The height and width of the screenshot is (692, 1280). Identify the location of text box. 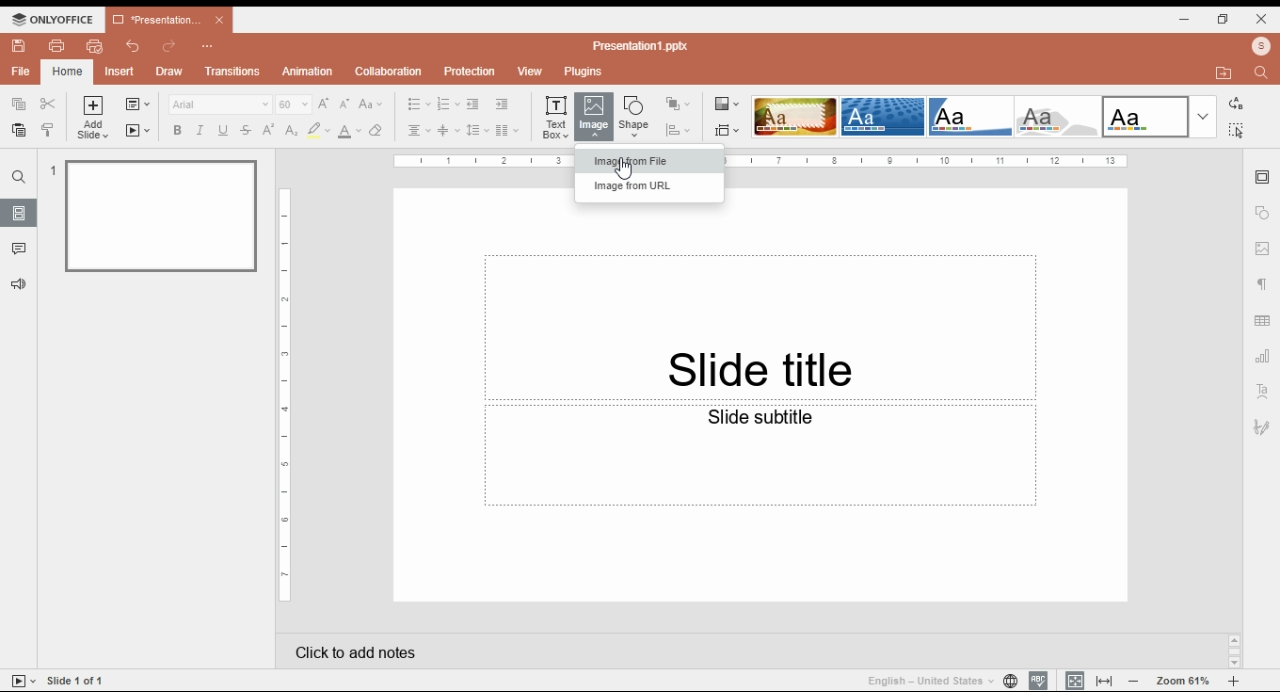
(759, 455).